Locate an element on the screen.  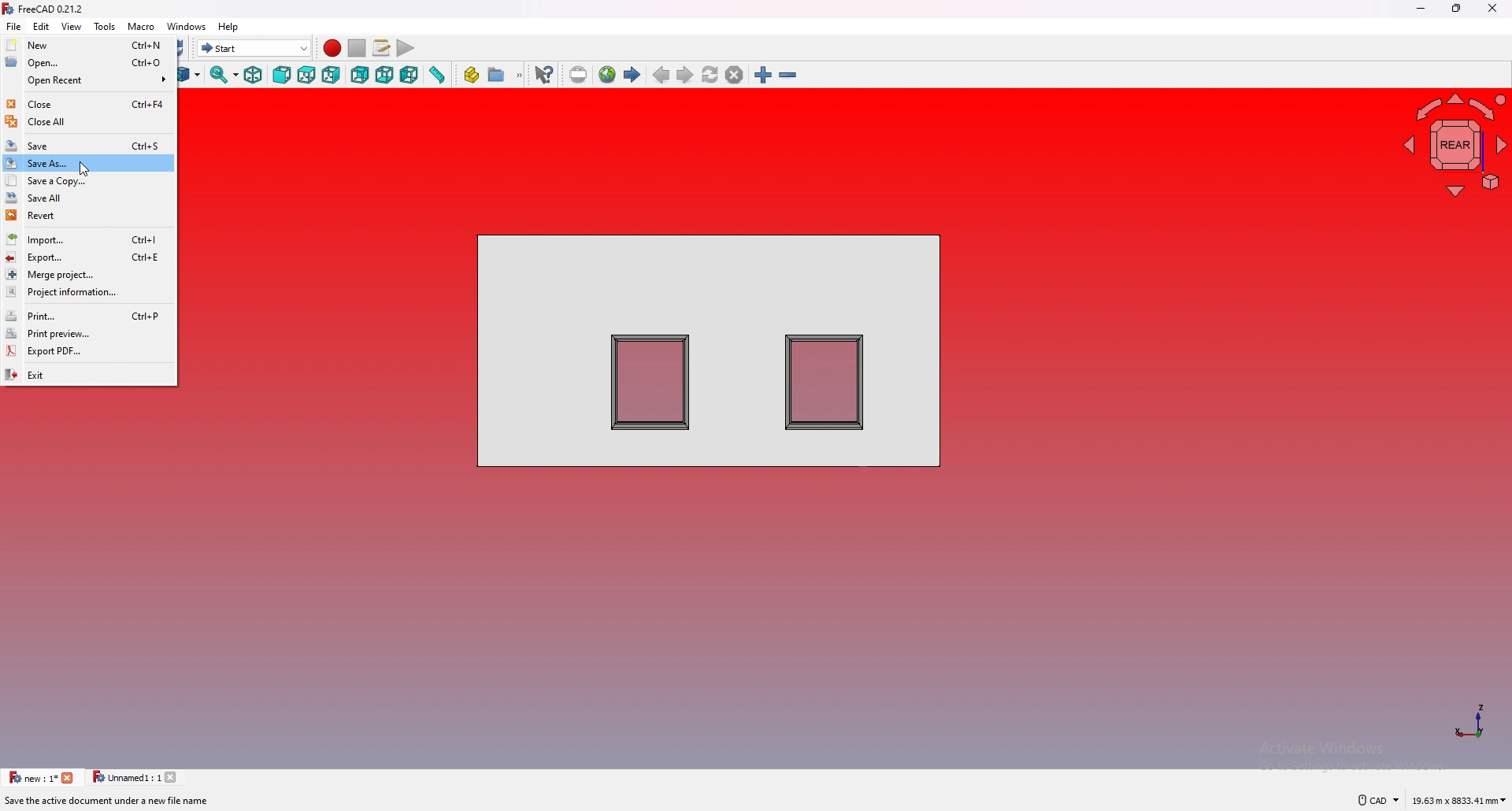
go to linked object is located at coordinates (190, 75).